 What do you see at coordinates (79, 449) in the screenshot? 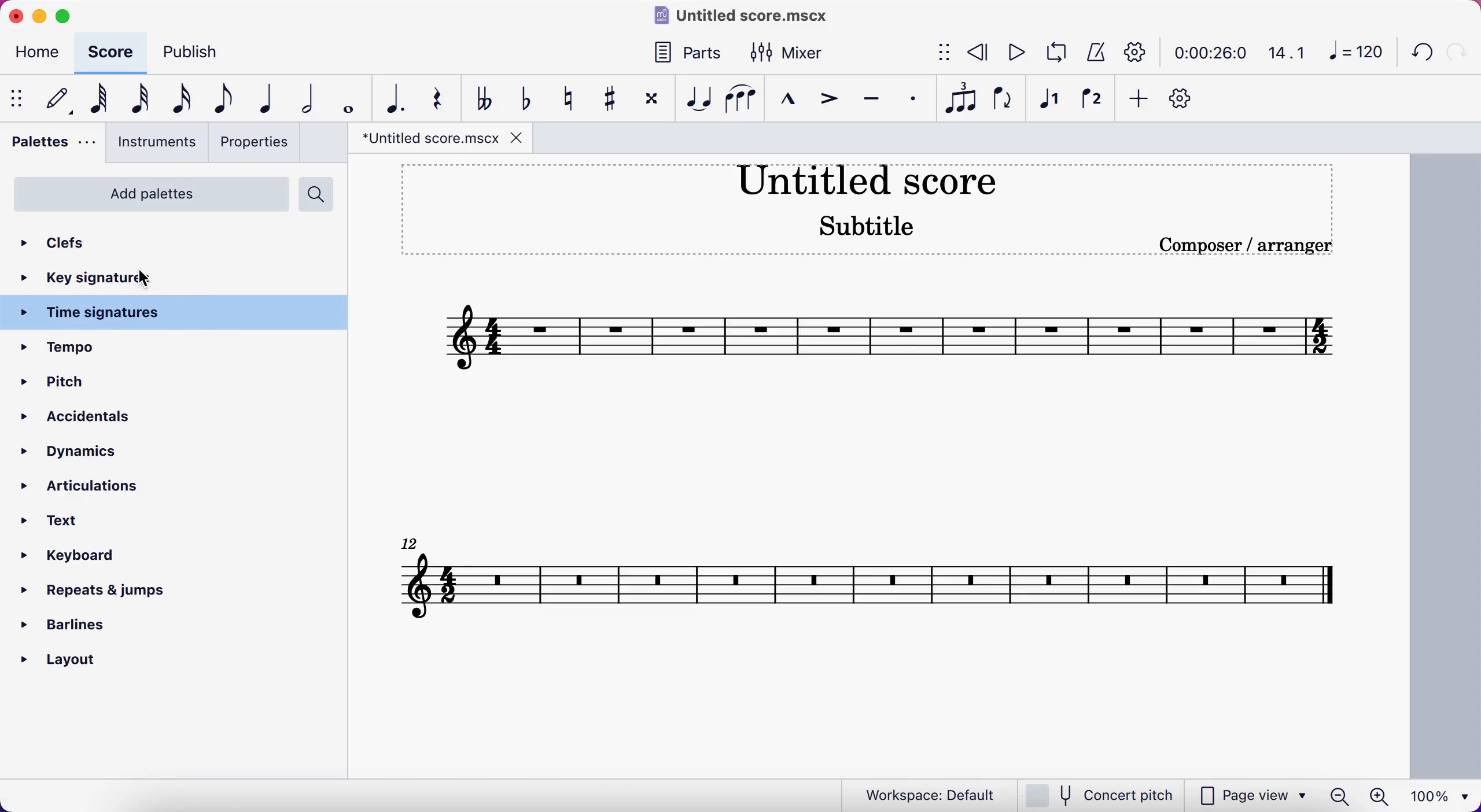
I see `dynamics` at bounding box center [79, 449].